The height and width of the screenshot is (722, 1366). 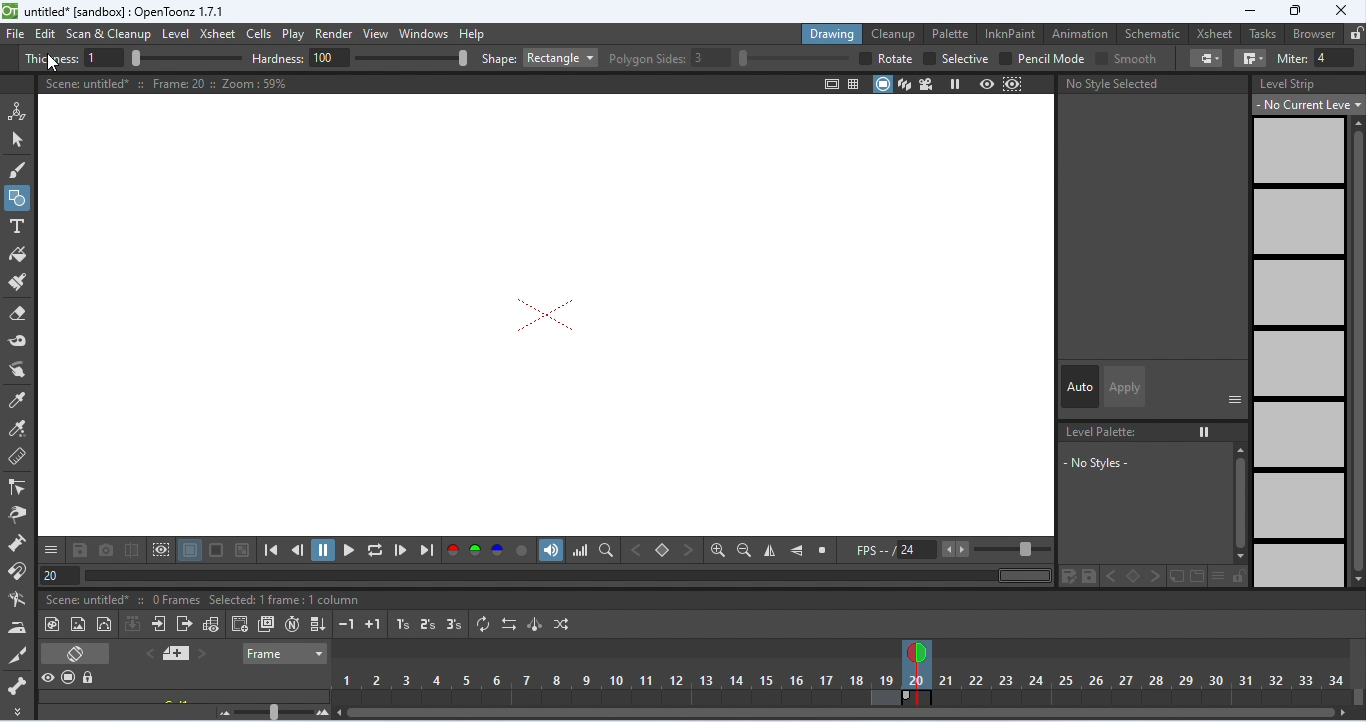 I want to click on 3d view, so click(x=906, y=85).